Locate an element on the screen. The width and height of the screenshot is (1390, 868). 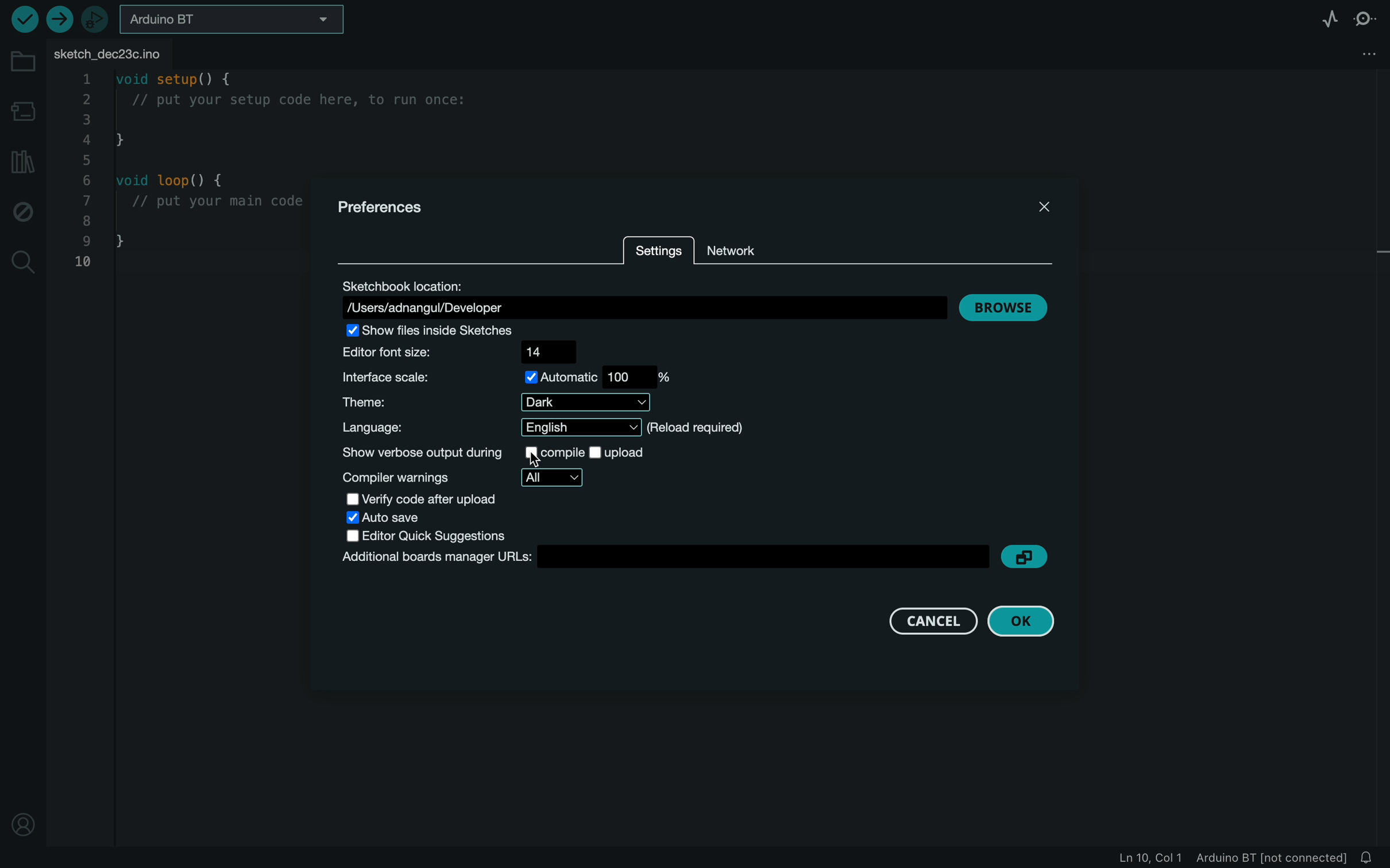
board selecter is located at coordinates (238, 21).